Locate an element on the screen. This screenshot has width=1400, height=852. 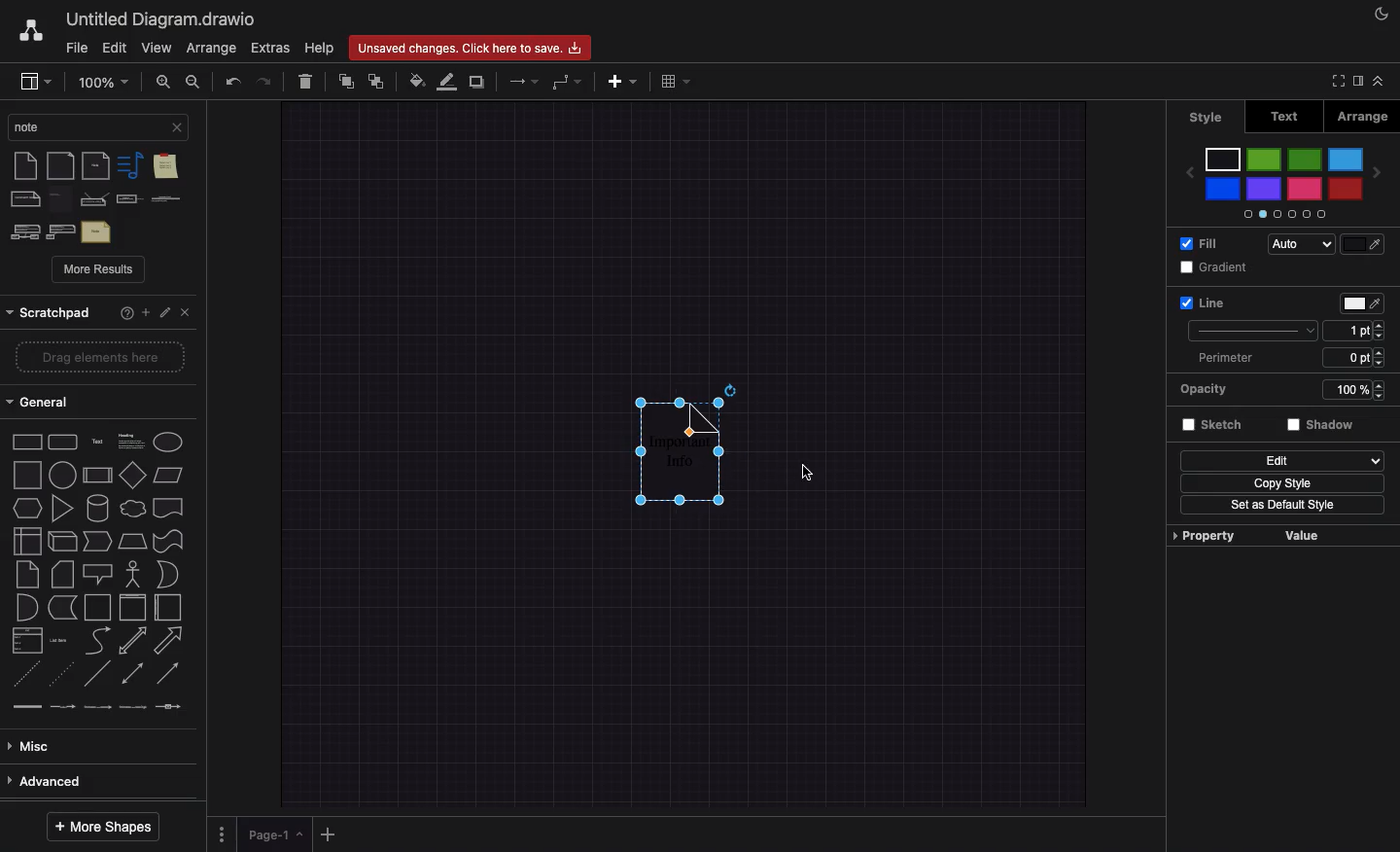
Full screen is located at coordinates (1339, 82).